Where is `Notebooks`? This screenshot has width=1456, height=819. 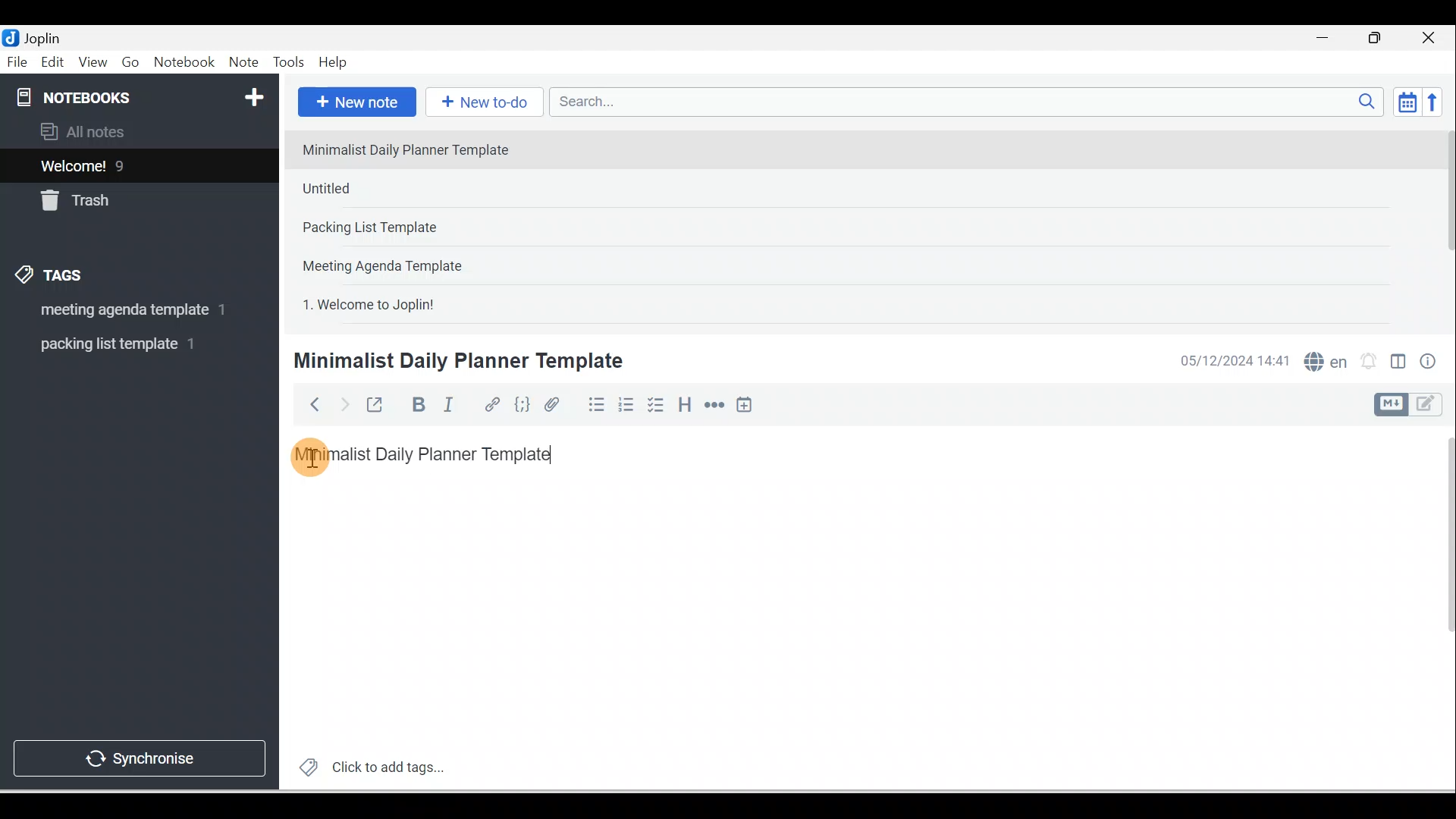 Notebooks is located at coordinates (143, 94).